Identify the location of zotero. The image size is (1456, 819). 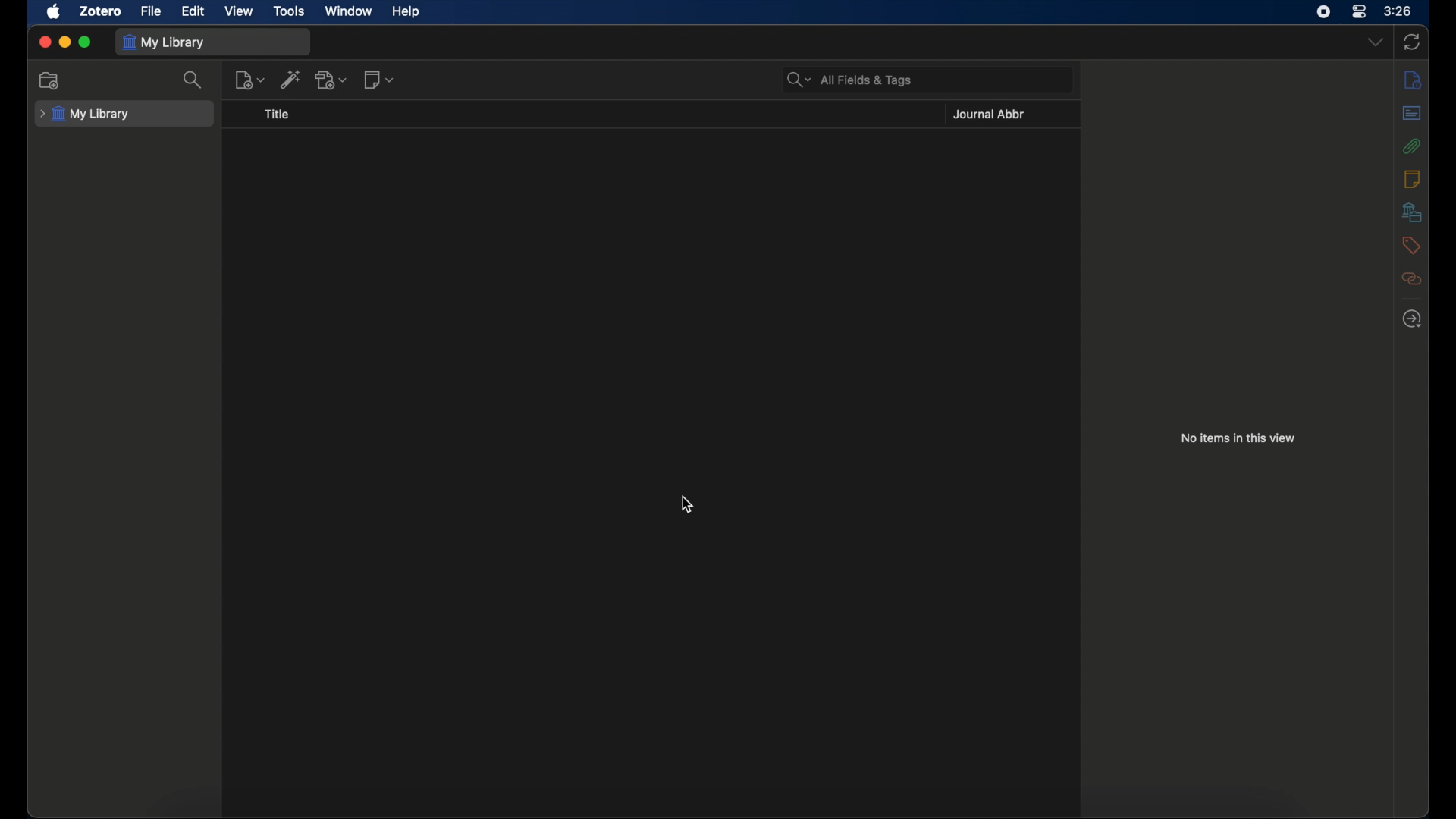
(101, 11).